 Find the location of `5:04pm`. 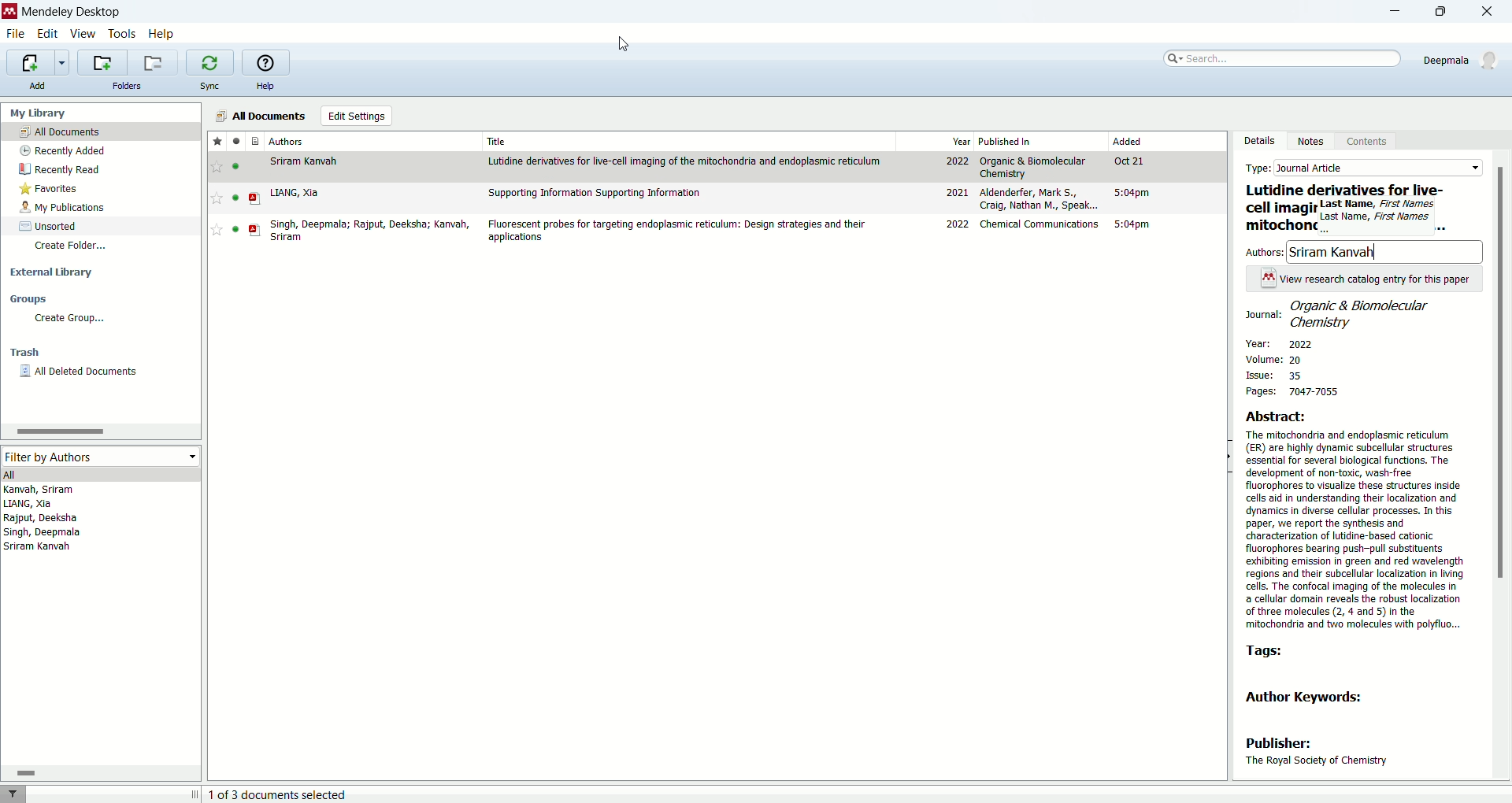

5:04pm is located at coordinates (1135, 194).